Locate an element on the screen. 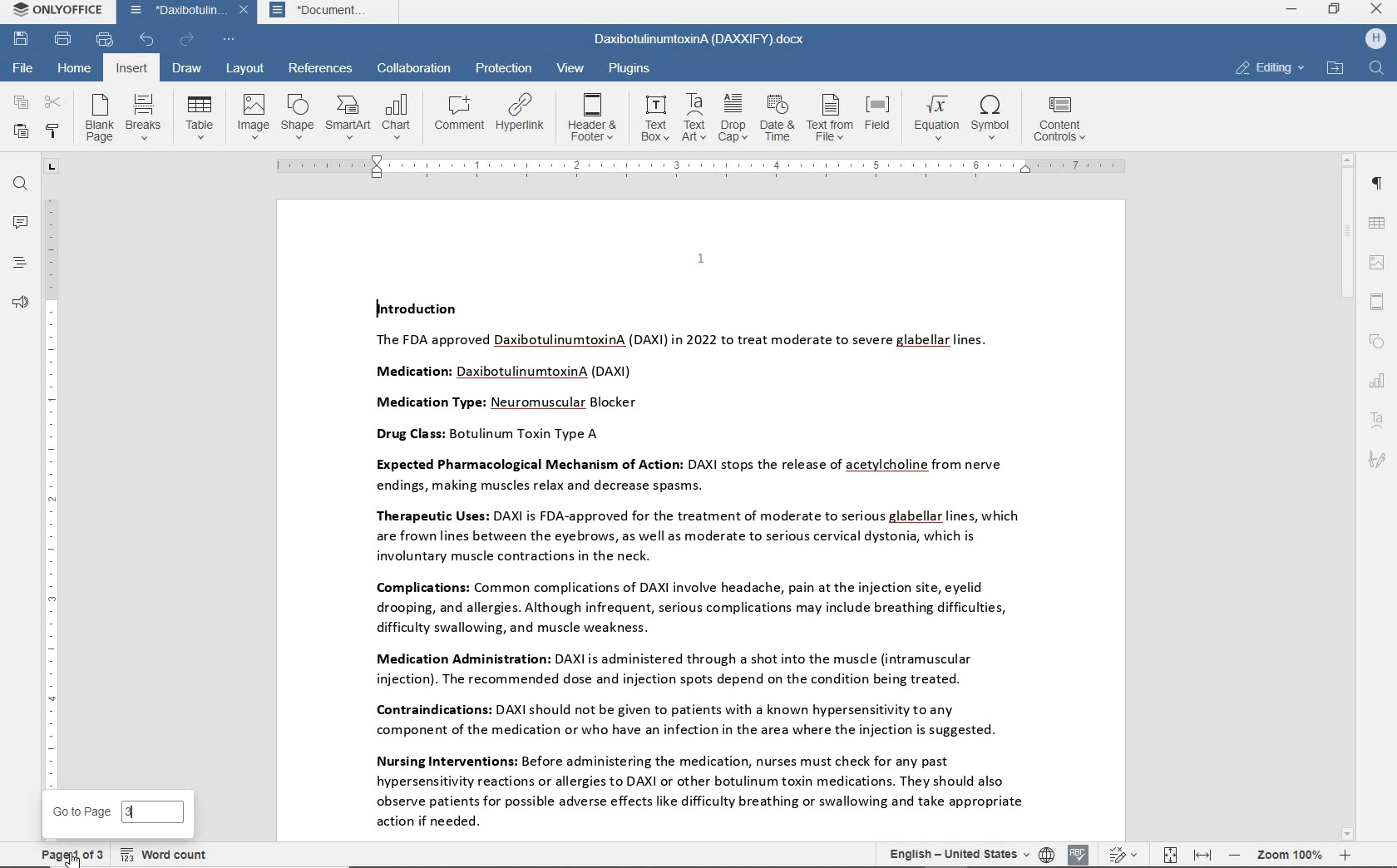  editing is located at coordinates (1270, 67).